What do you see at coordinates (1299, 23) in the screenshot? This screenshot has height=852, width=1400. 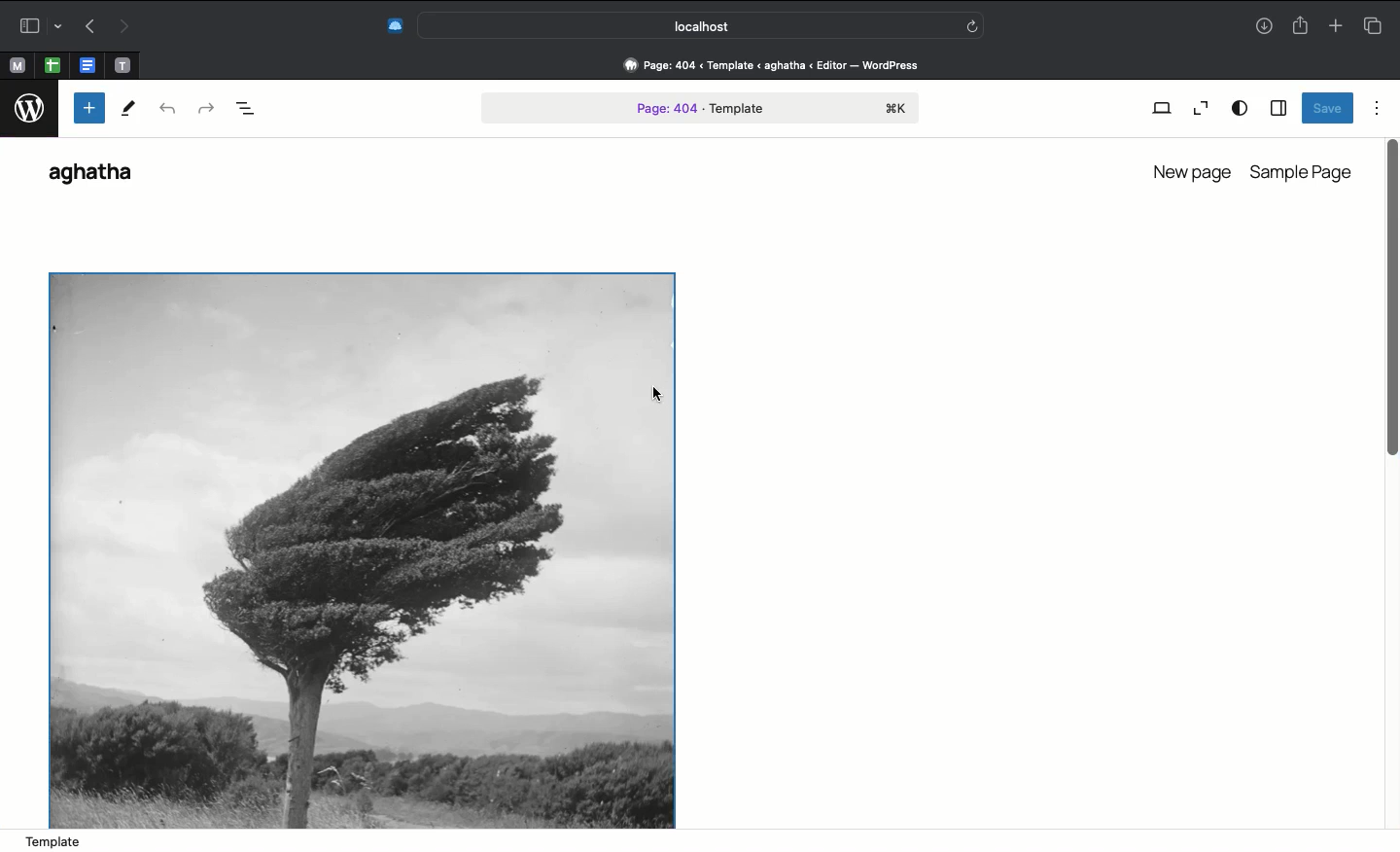 I see `Share` at bounding box center [1299, 23].